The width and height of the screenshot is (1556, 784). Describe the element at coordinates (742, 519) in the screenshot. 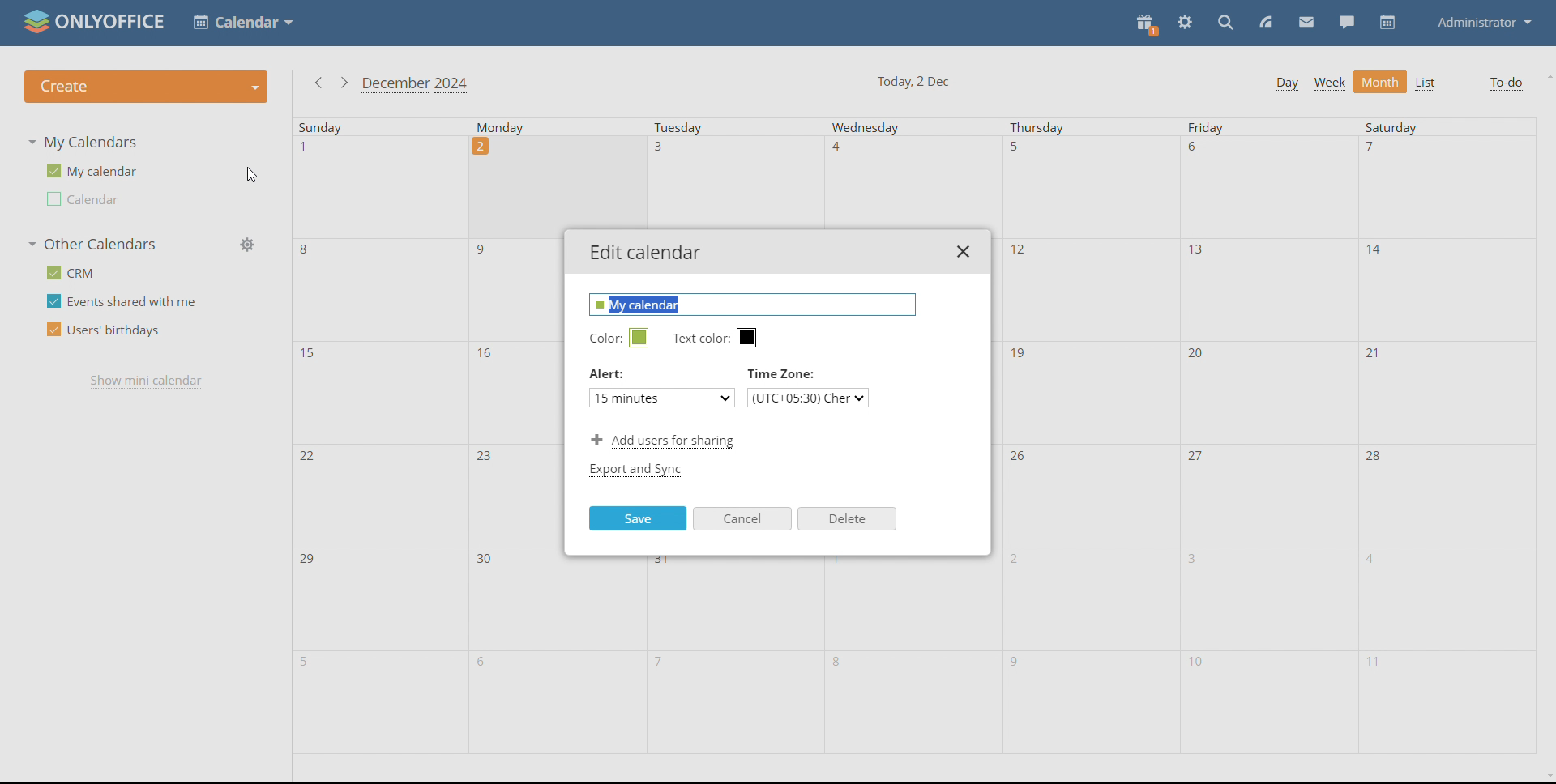

I see `cancel` at that location.